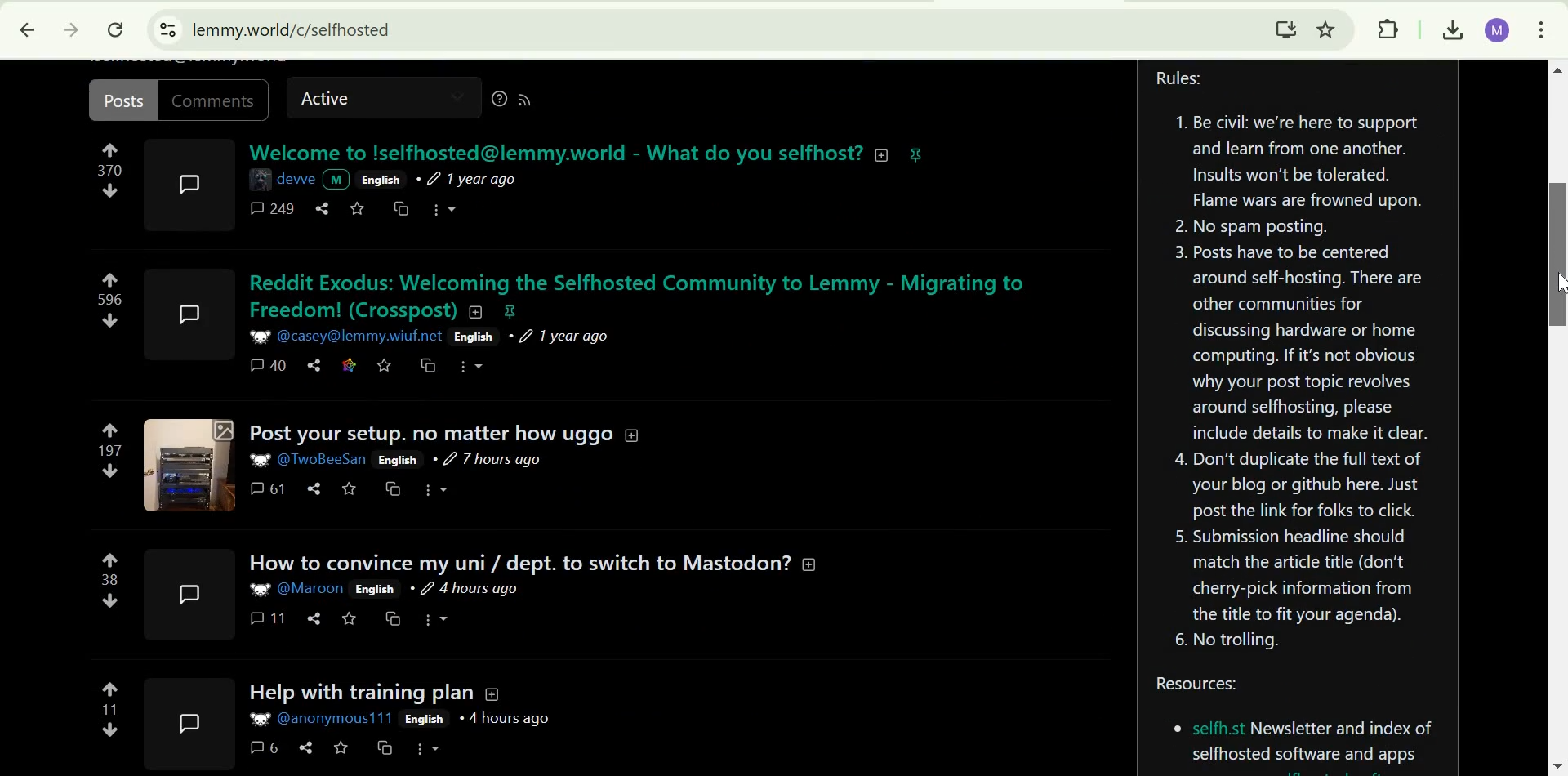  Describe the element at coordinates (336, 719) in the screenshot. I see `user ID` at that location.